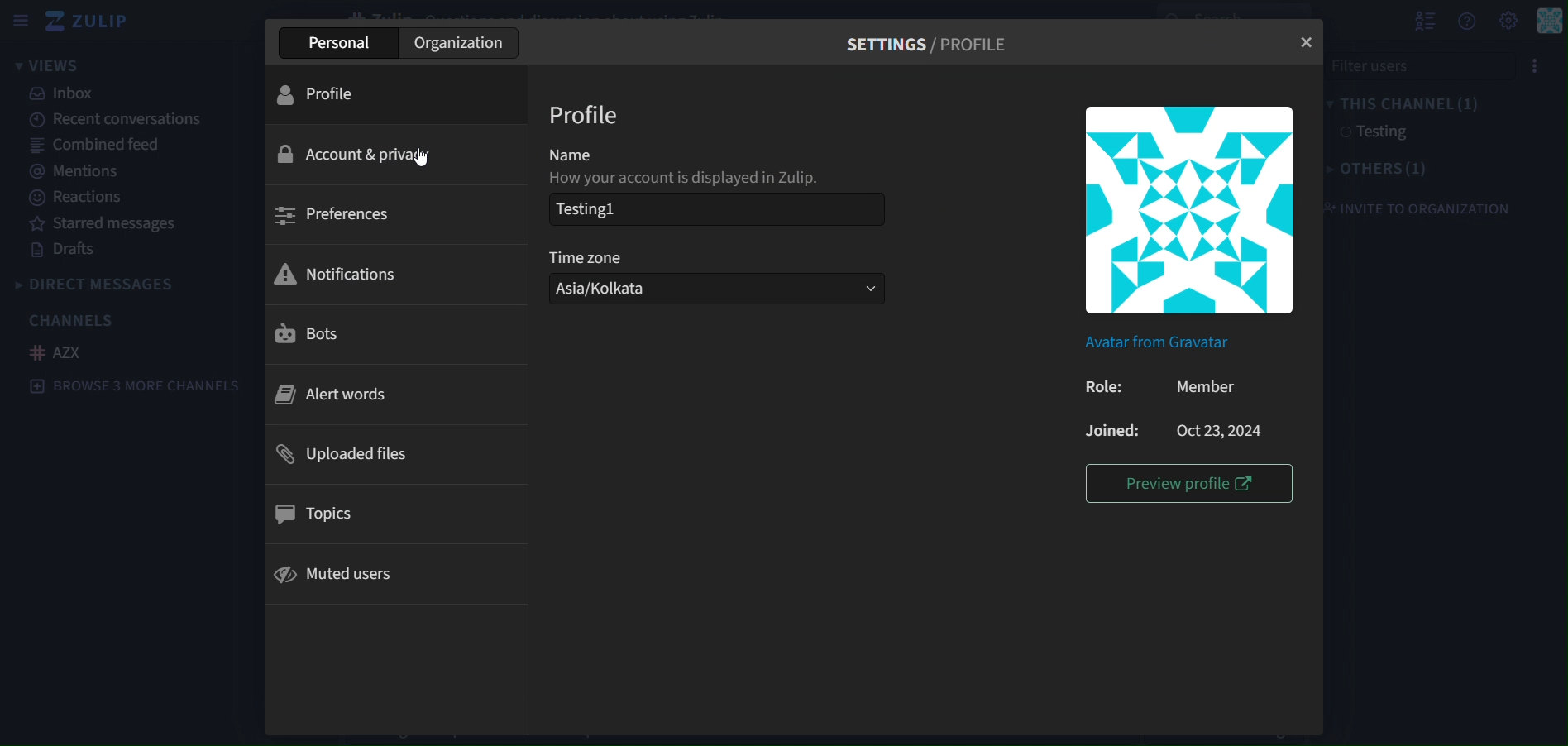 Image resolution: width=1568 pixels, height=746 pixels. I want to click on bots, so click(317, 334).